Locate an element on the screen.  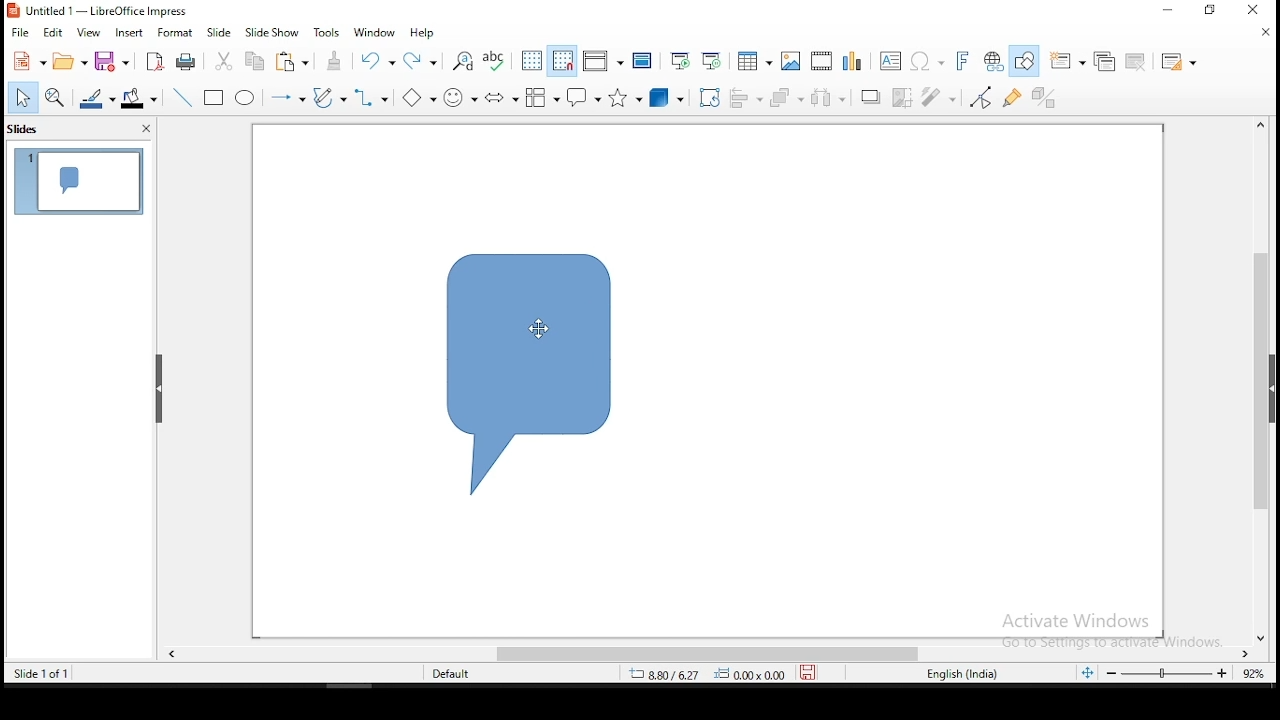
window is located at coordinates (374, 34).